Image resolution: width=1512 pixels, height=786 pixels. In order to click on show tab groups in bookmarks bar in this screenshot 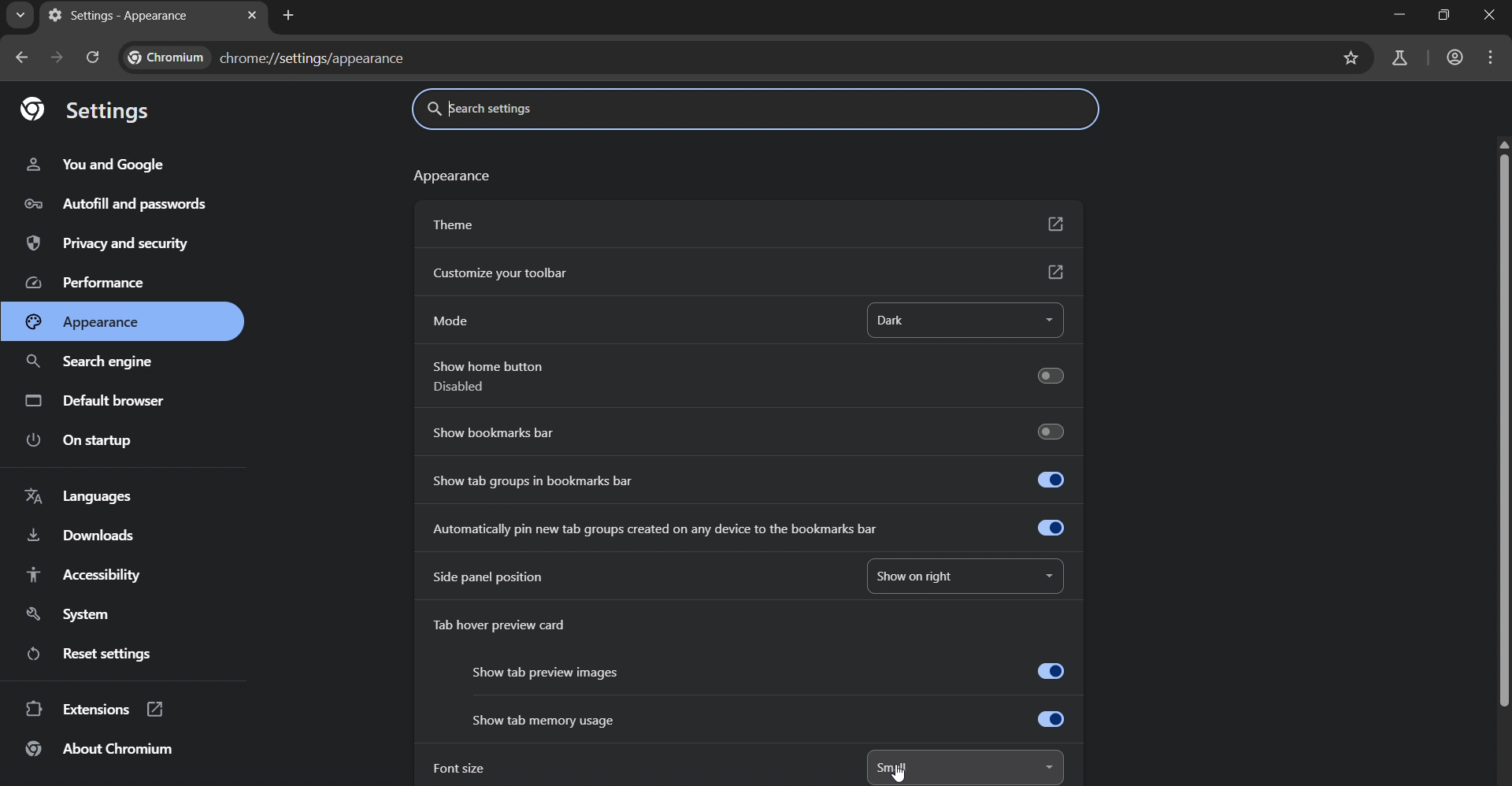, I will do `click(747, 477)`.